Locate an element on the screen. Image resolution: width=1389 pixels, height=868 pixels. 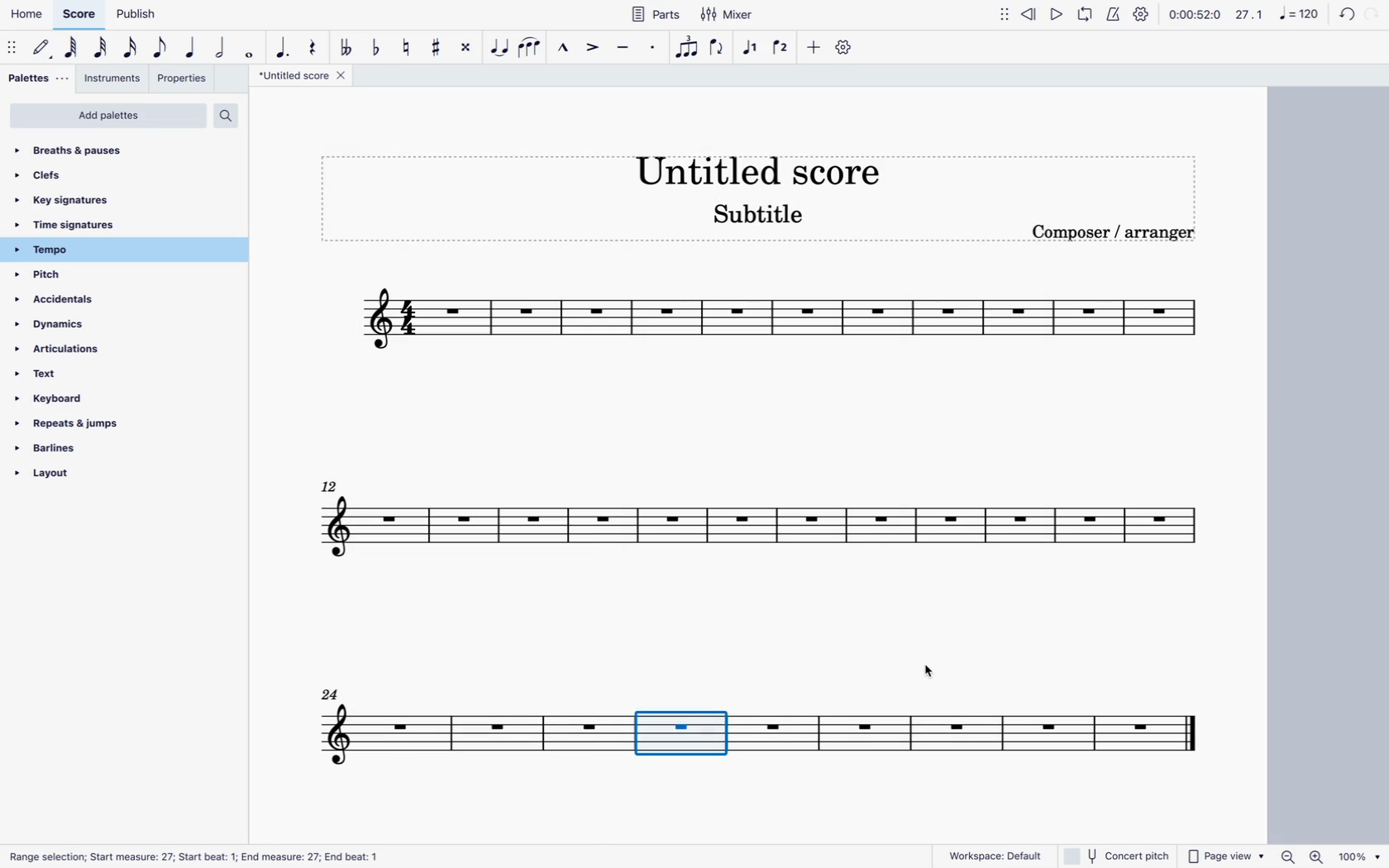
64th note is located at coordinates (73, 48).